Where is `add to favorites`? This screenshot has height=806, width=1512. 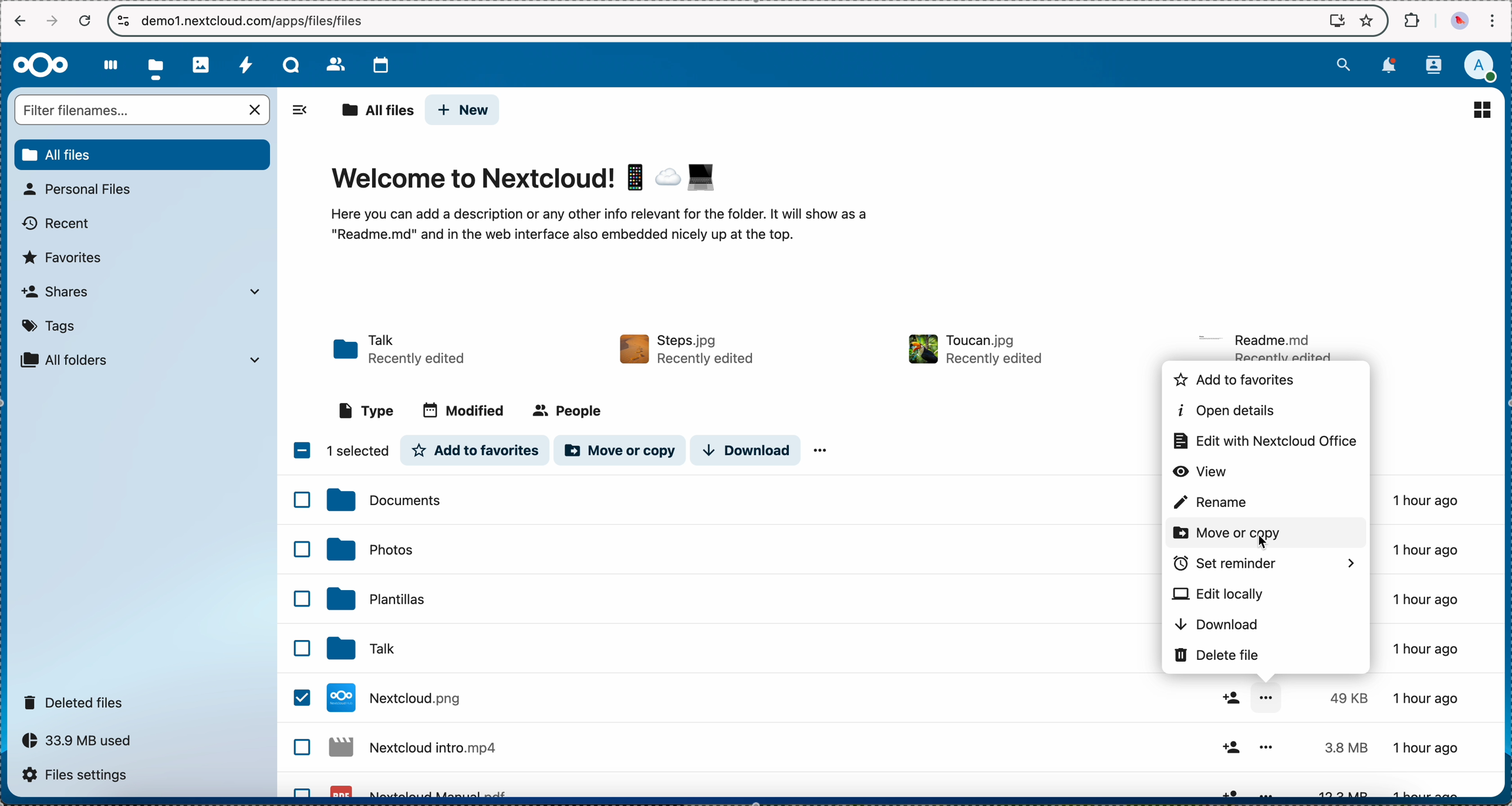 add to favorites is located at coordinates (477, 451).